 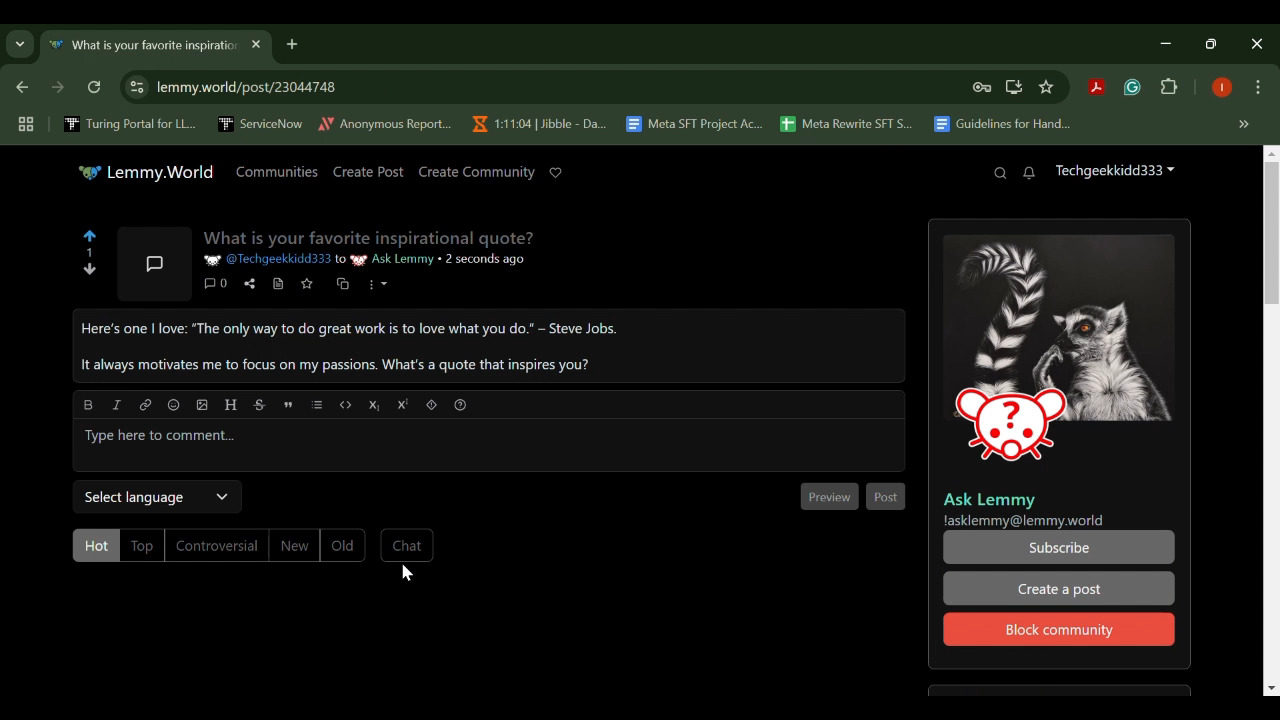 I want to click on Ask Lemmy, so click(x=991, y=500).